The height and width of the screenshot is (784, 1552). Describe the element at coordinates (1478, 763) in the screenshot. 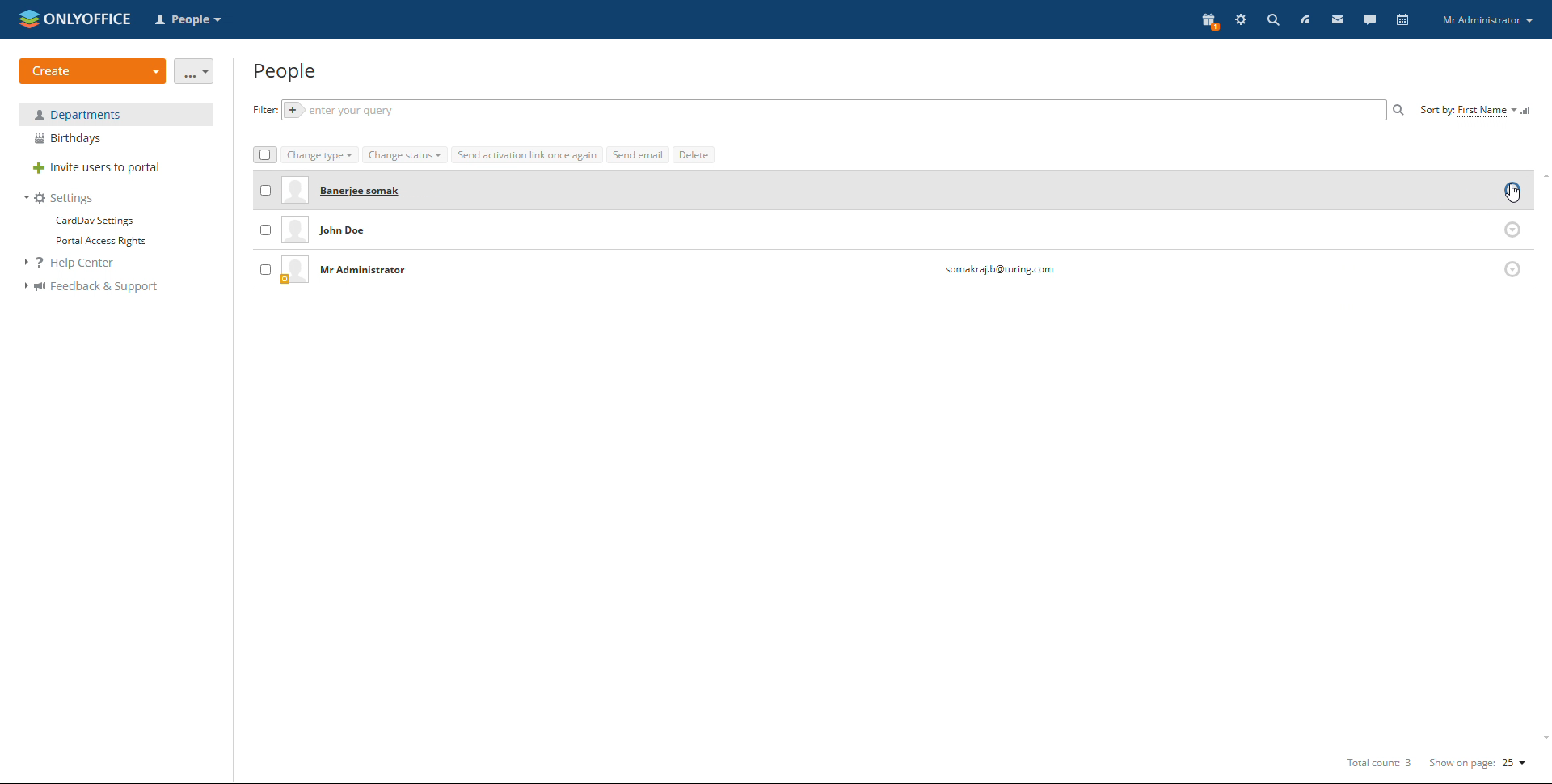

I see `show on page` at that location.